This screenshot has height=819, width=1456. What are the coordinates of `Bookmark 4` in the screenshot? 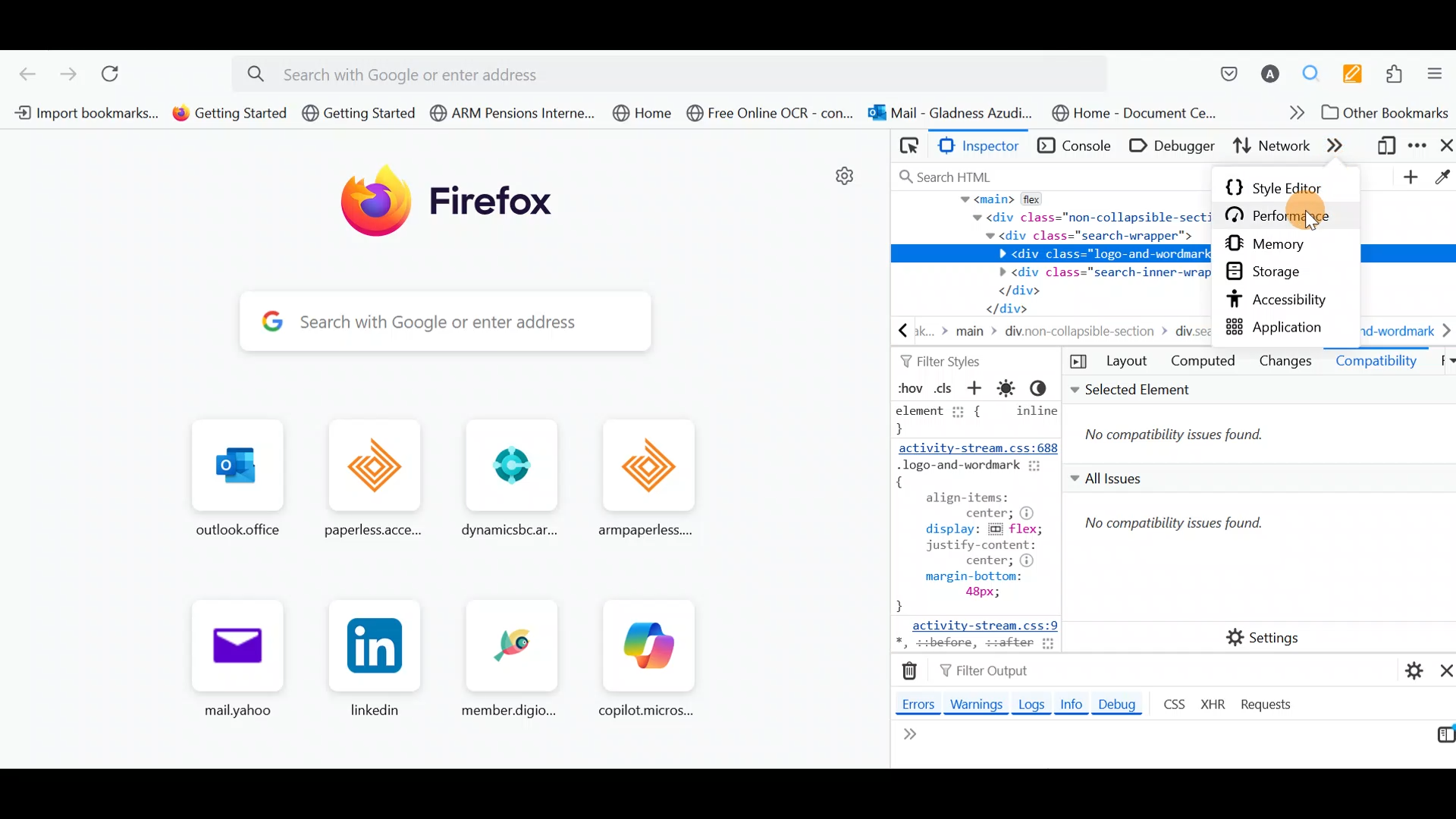 It's located at (512, 113).